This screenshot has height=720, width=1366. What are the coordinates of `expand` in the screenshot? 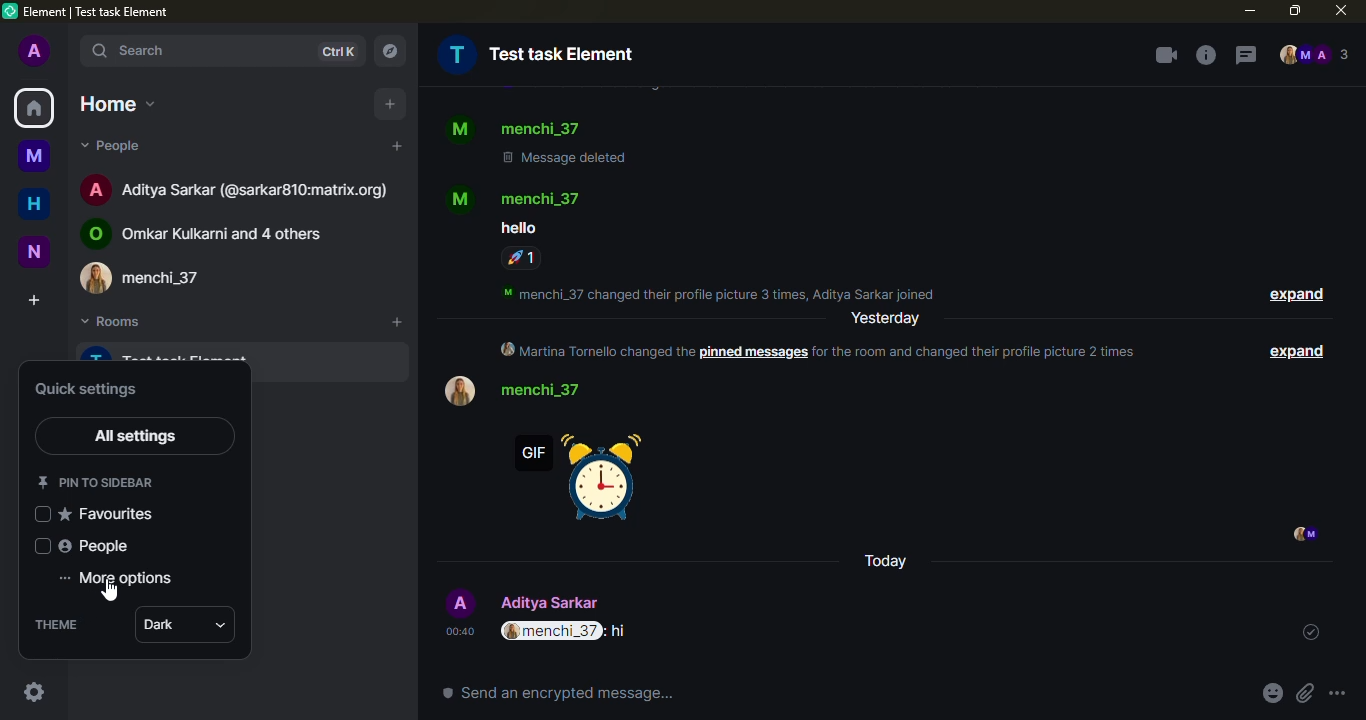 It's located at (1292, 350).